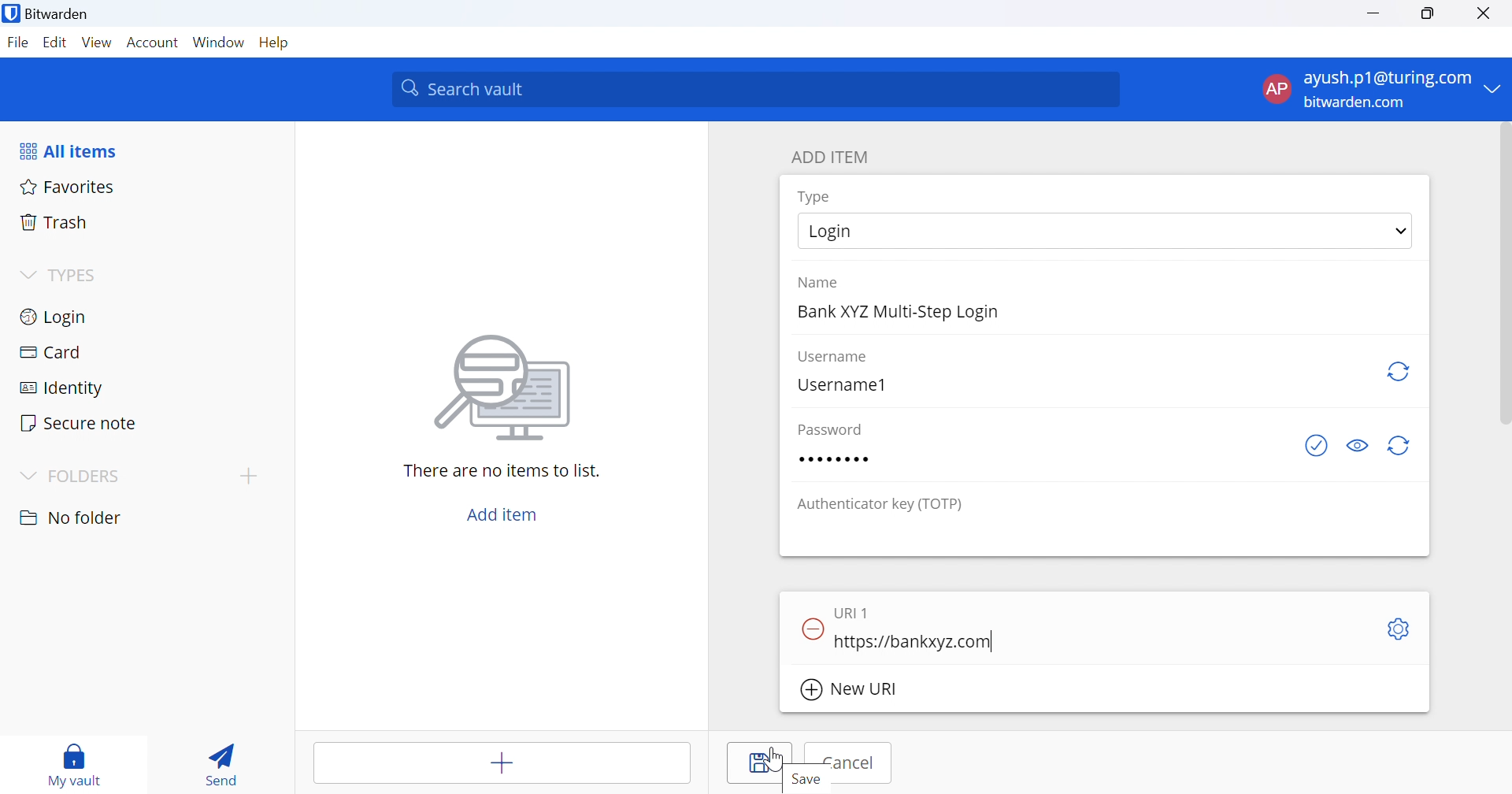 This screenshot has height=794, width=1512. What do you see at coordinates (51, 351) in the screenshot?
I see `Card` at bounding box center [51, 351].